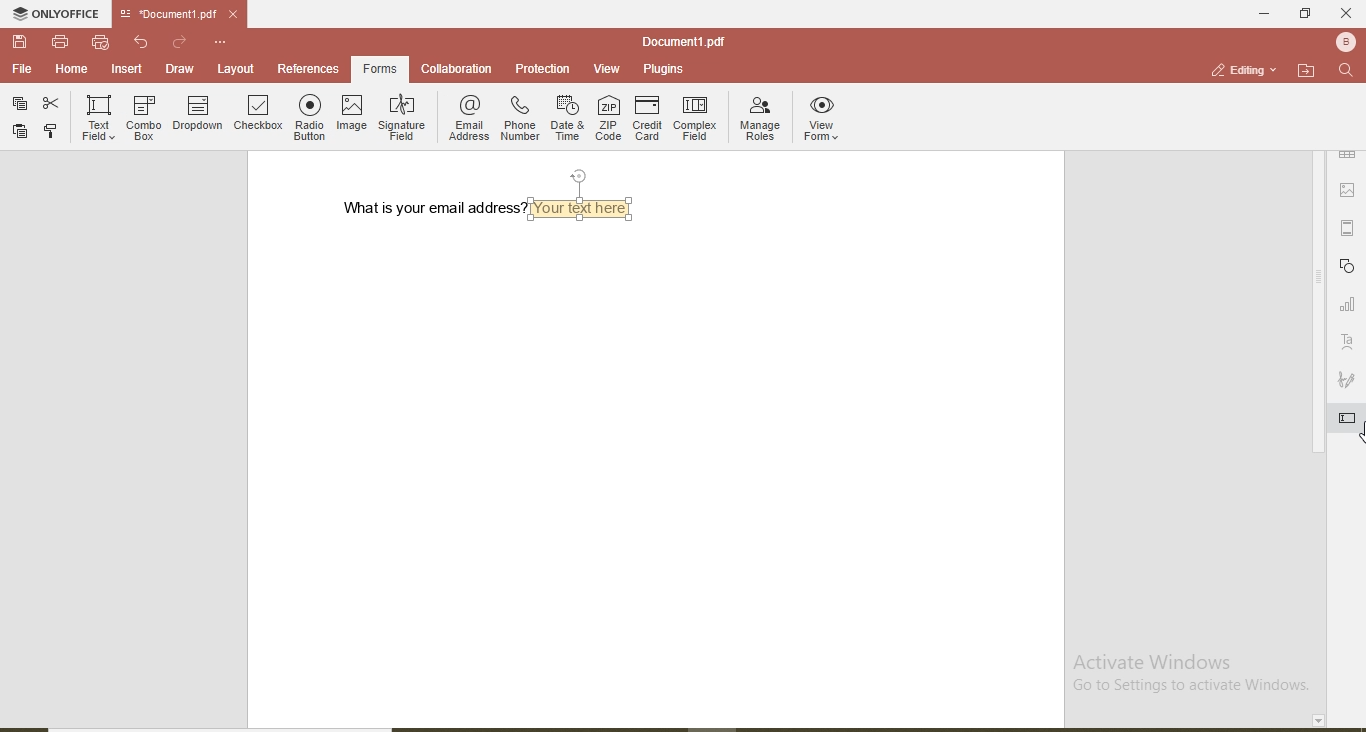 The height and width of the screenshot is (732, 1366). What do you see at coordinates (1348, 342) in the screenshot?
I see `text` at bounding box center [1348, 342].